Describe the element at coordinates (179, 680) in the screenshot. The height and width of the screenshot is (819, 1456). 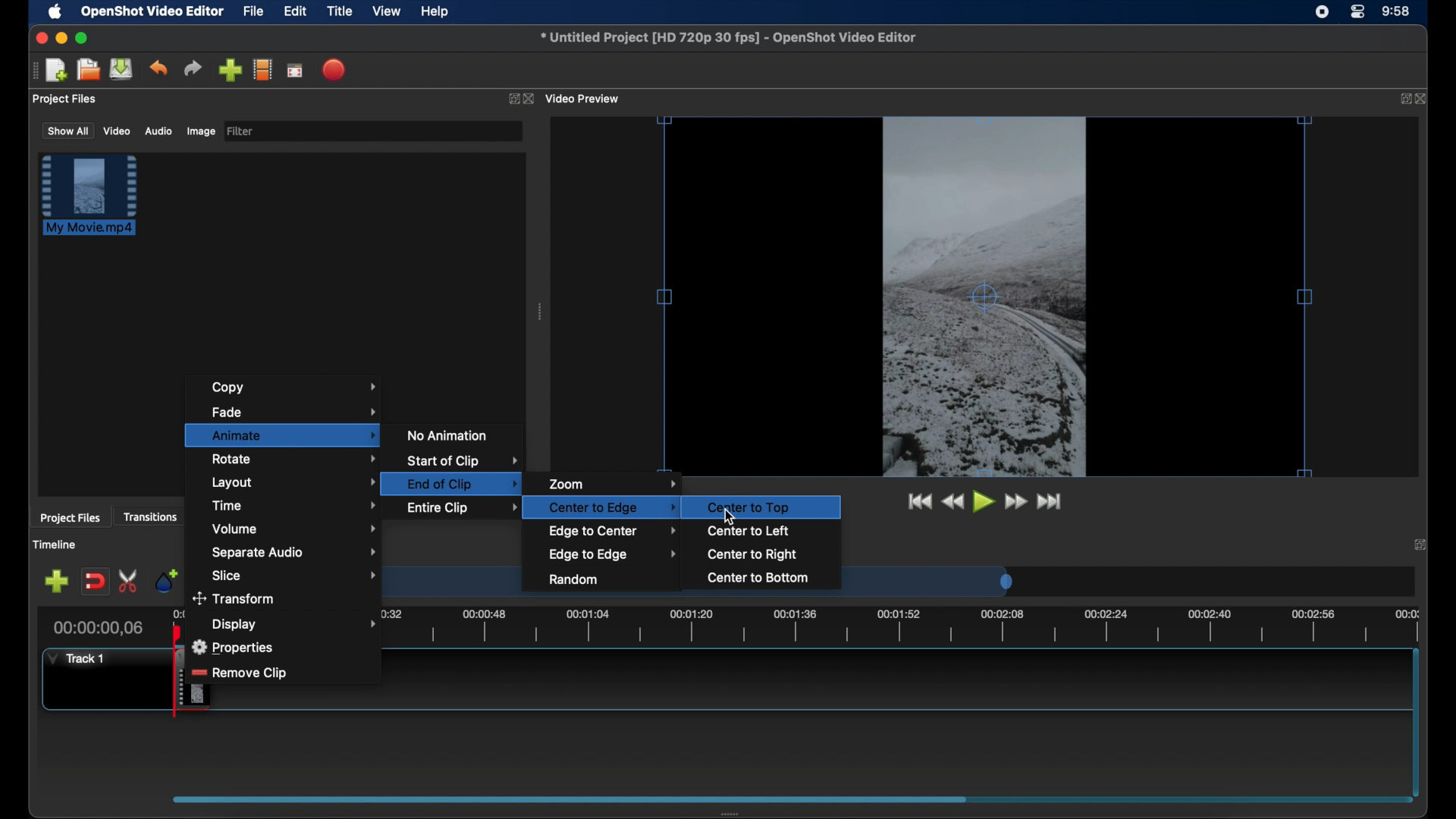
I see `drag cursor` at that location.